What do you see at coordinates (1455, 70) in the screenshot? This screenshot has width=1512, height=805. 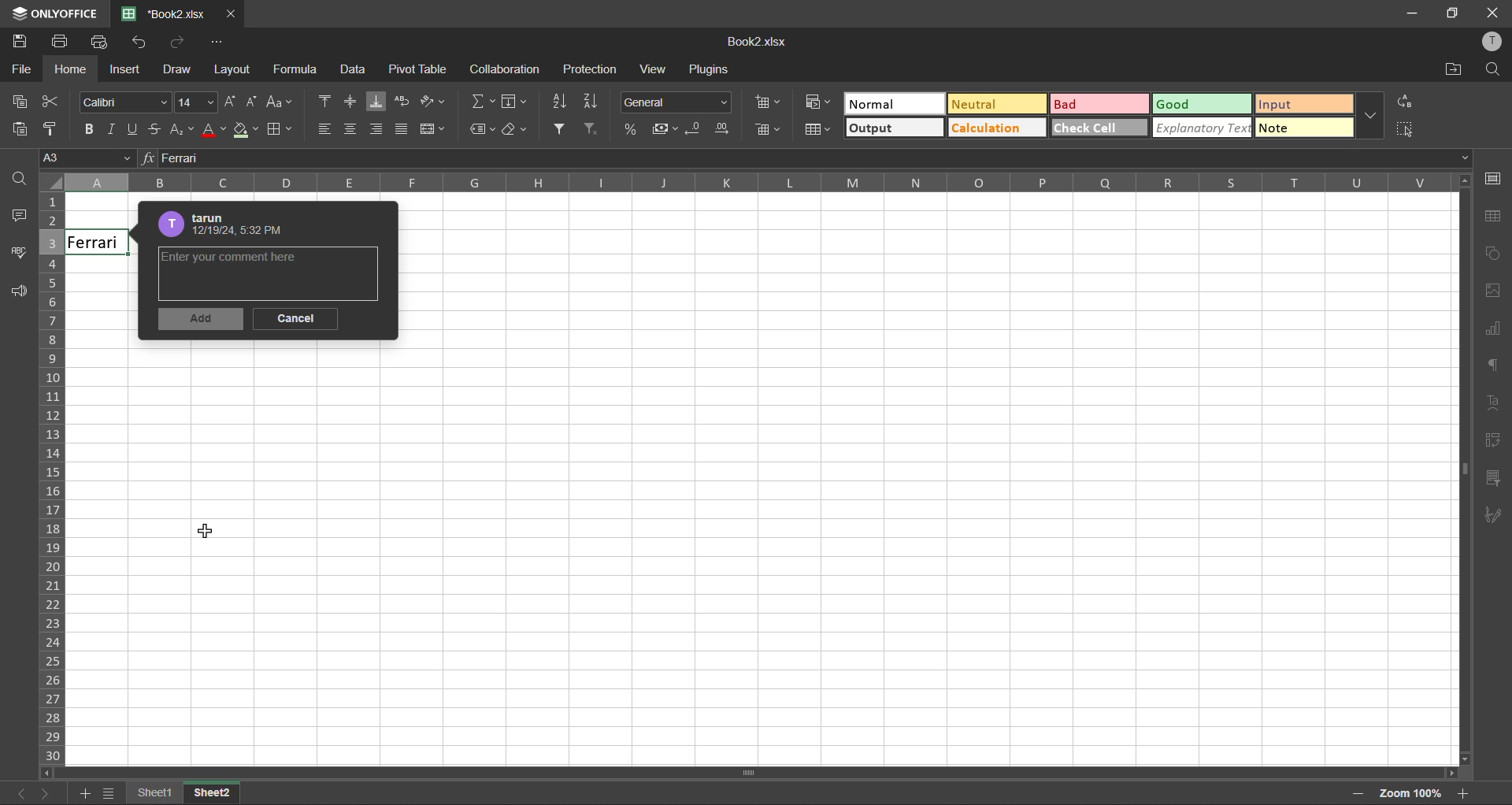 I see `open location` at bounding box center [1455, 70].